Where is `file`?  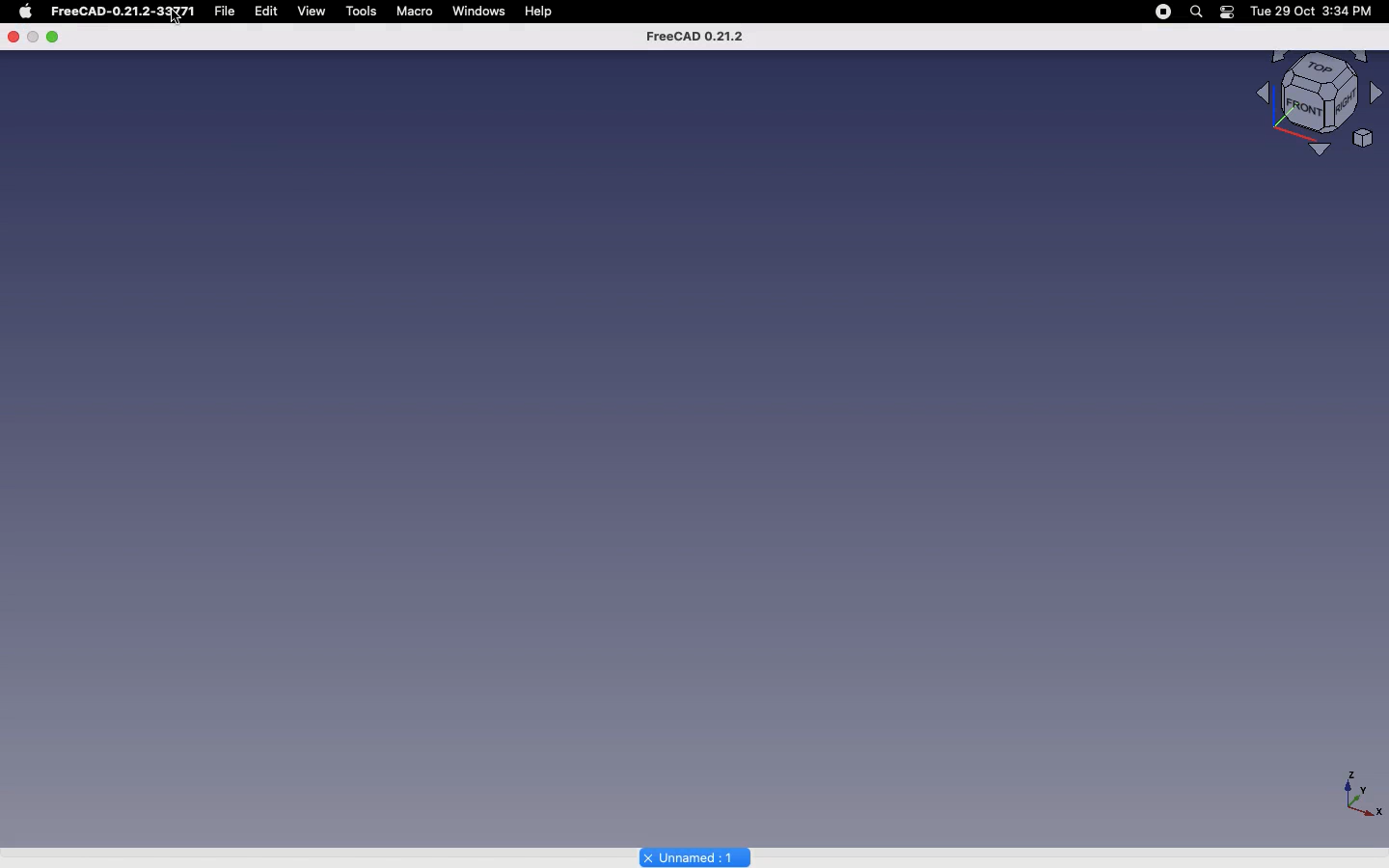 file is located at coordinates (230, 12).